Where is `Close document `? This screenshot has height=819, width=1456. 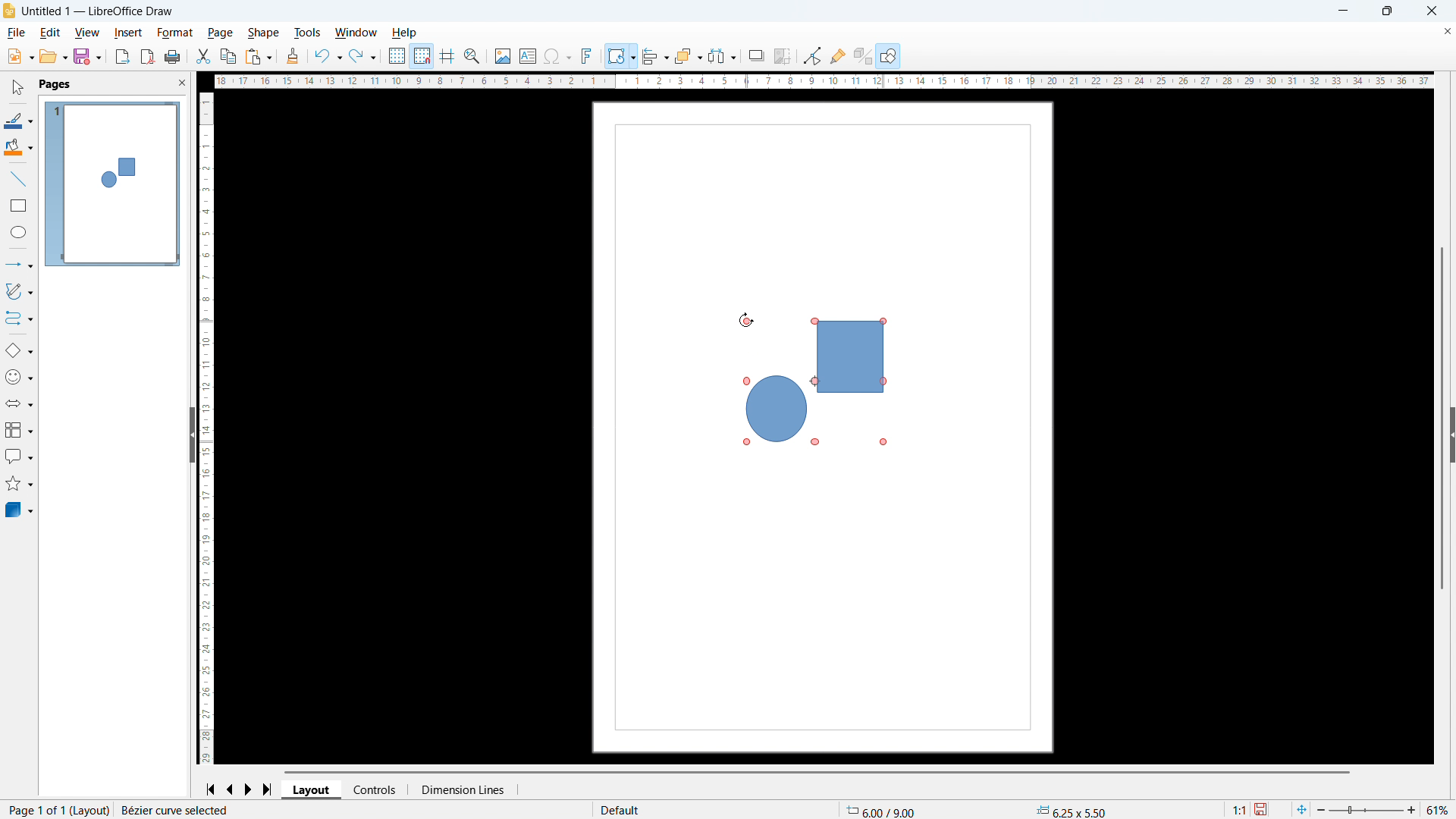
Close document  is located at coordinates (1447, 30).